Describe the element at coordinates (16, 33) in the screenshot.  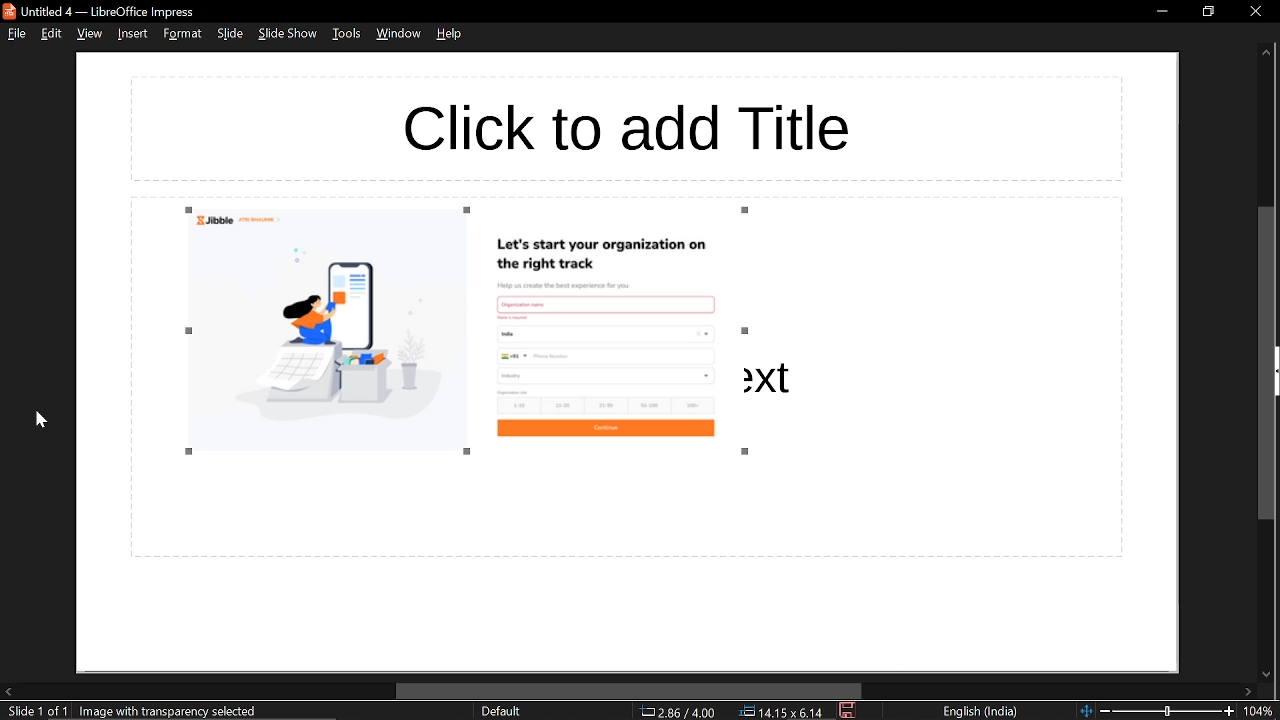
I see `file` at that location.